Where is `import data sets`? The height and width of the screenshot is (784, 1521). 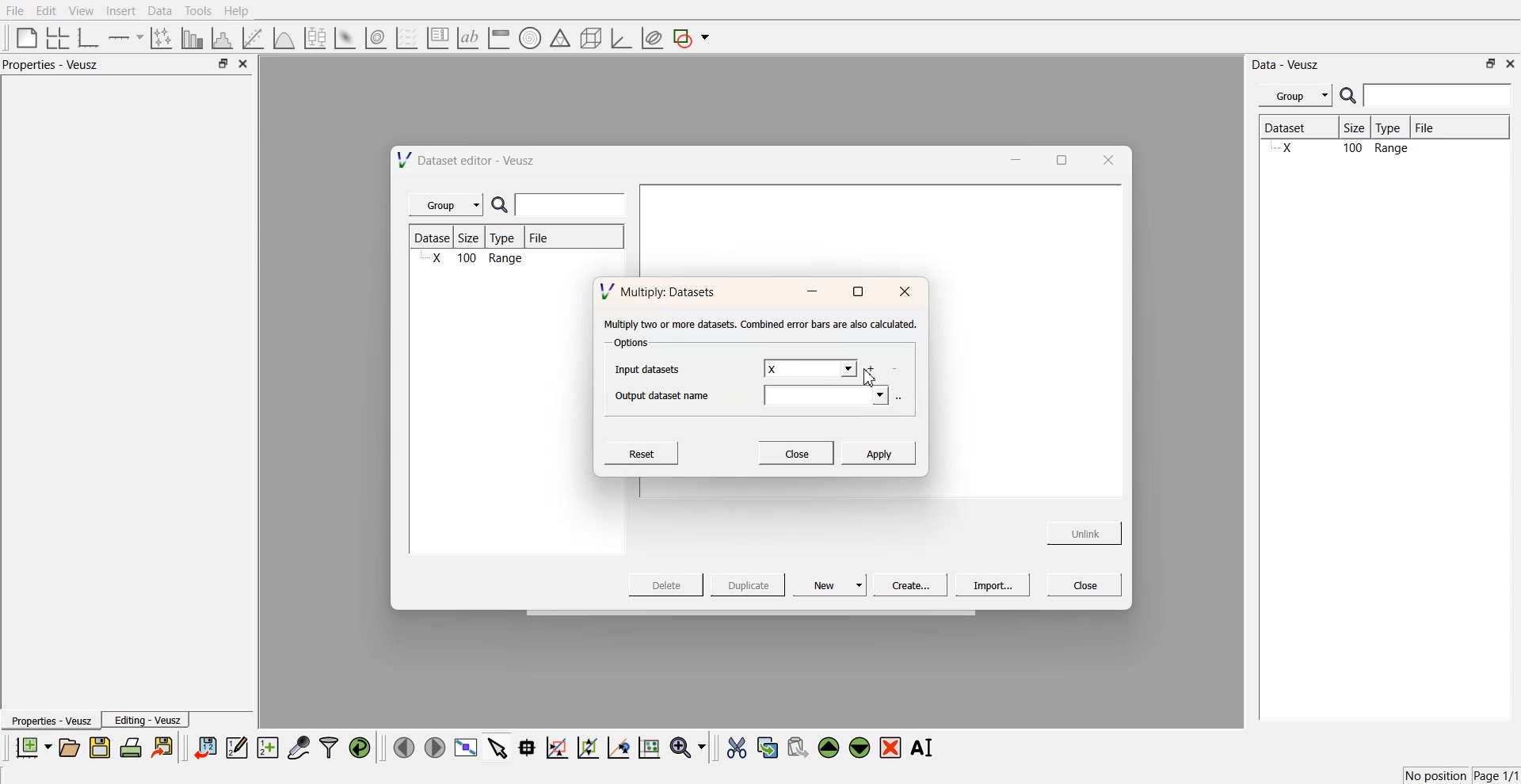 import data sets is located at coordinates (204, 748).